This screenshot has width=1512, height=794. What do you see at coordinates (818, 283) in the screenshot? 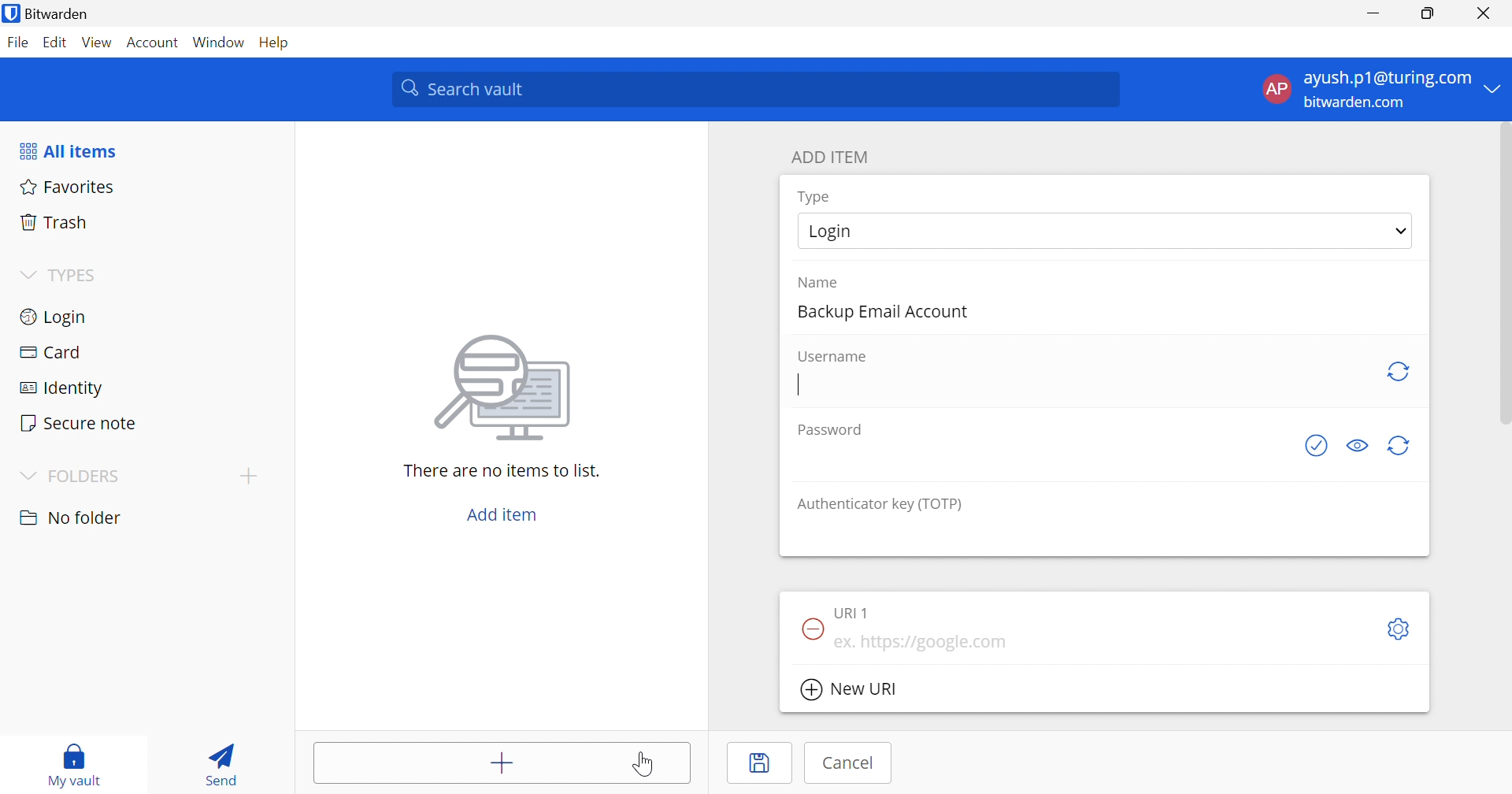
I see `Name` at bounding box center [818, 283].